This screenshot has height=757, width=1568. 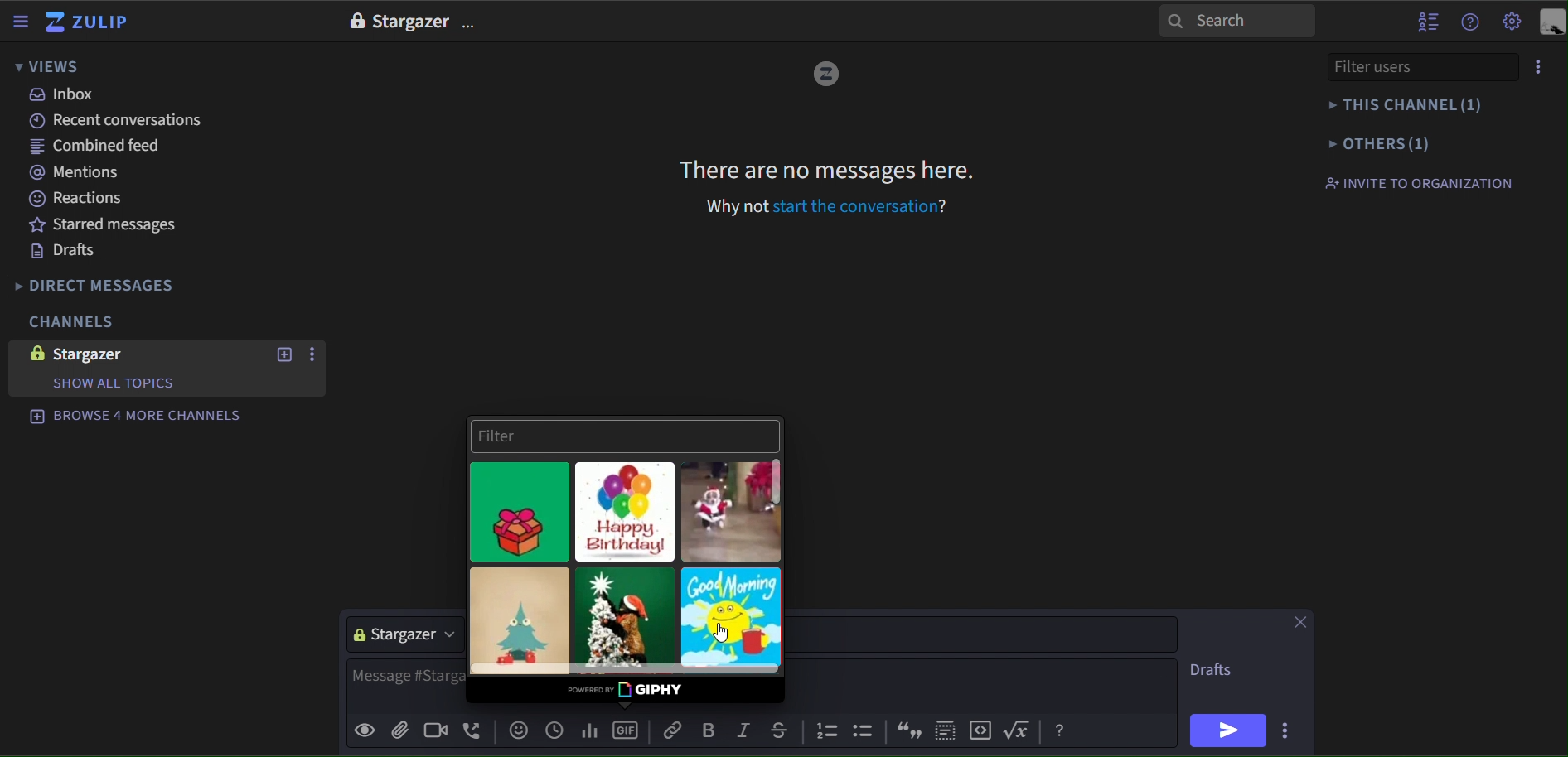 I want to click on image, so click(x=523, y=620).